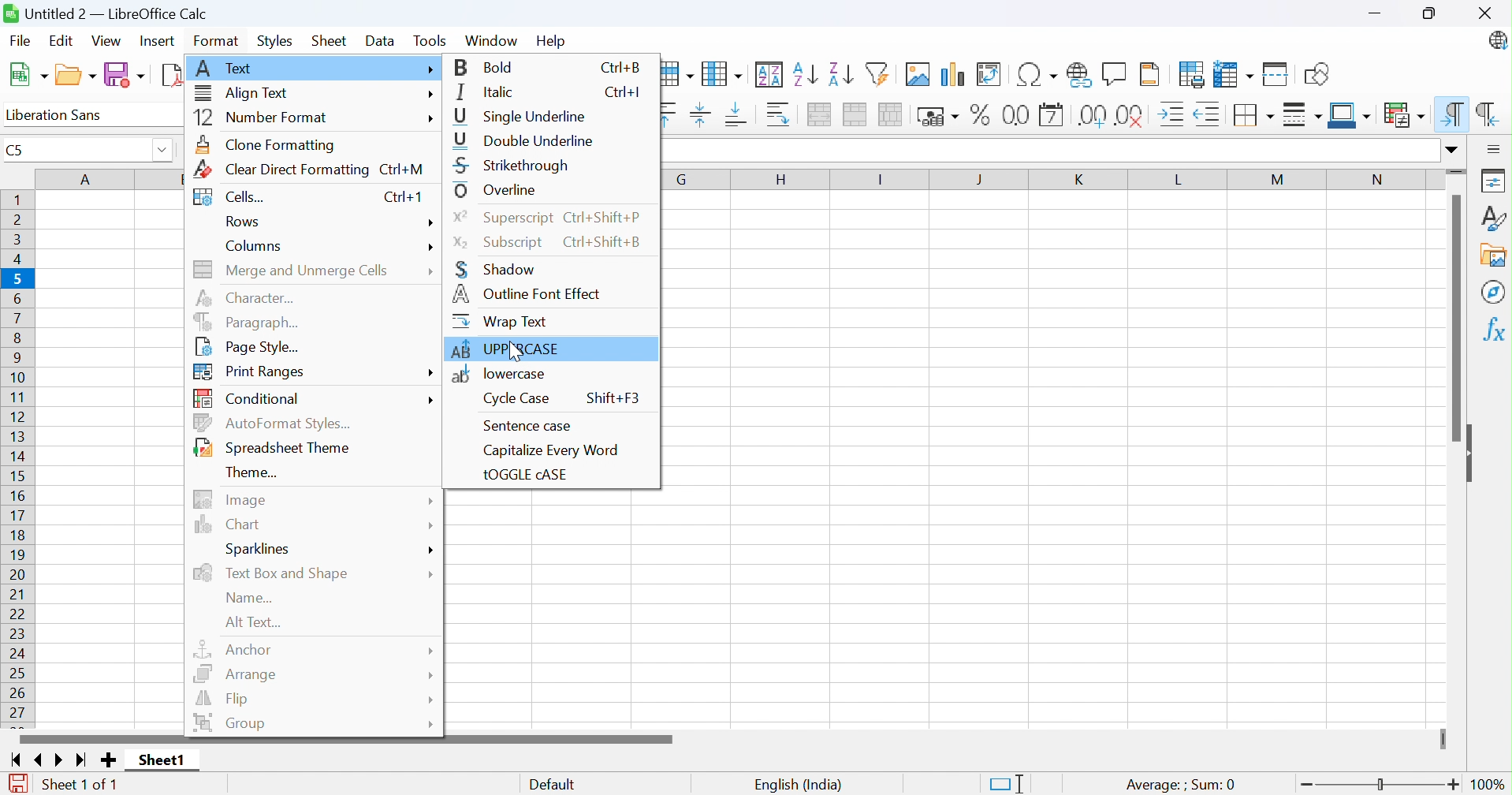  Describe the element at coordinates (488, 91) in the screenshot. I see `Italic` at that location.